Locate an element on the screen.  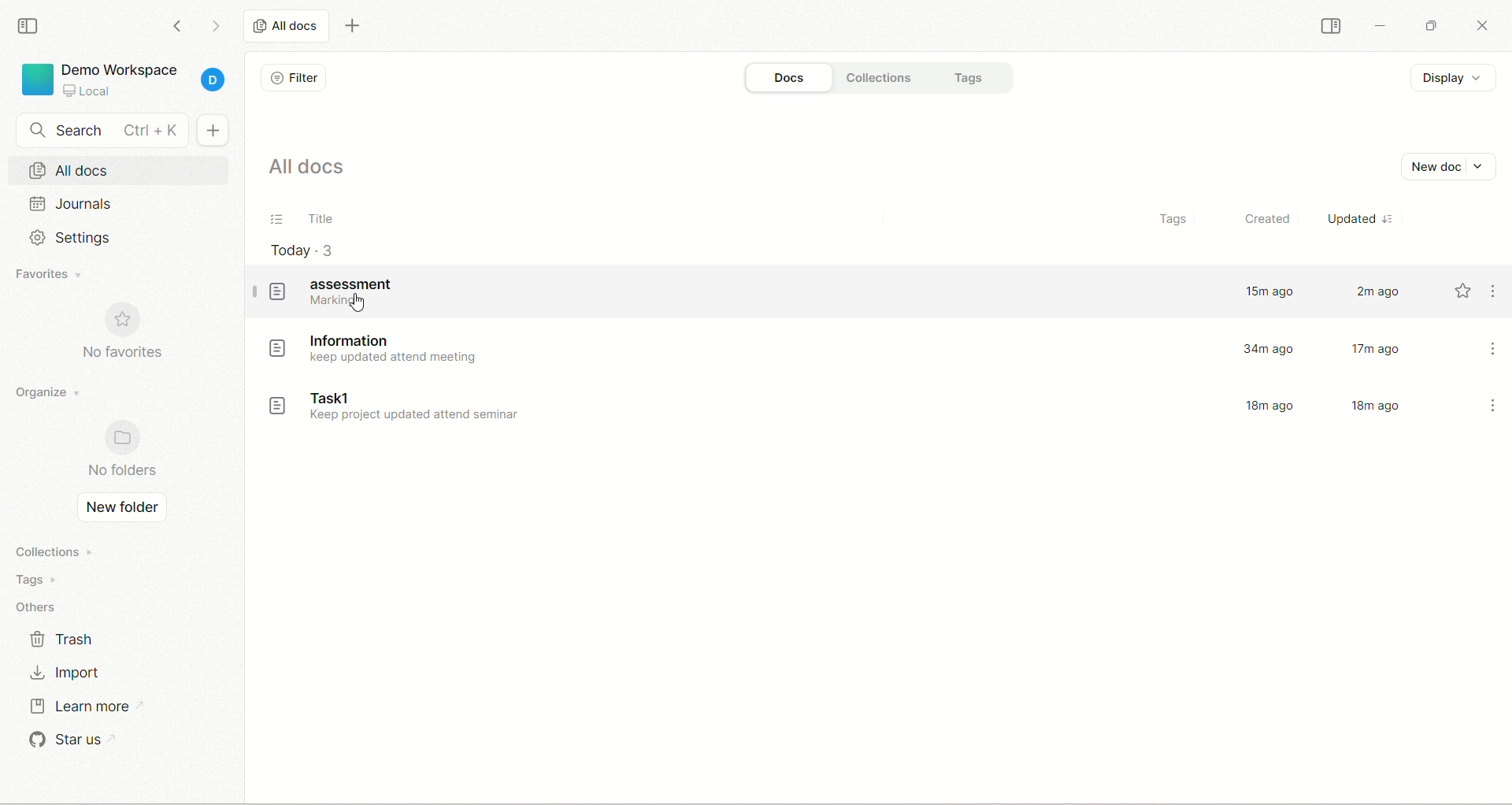
go back is located at coordinates (178, 27).